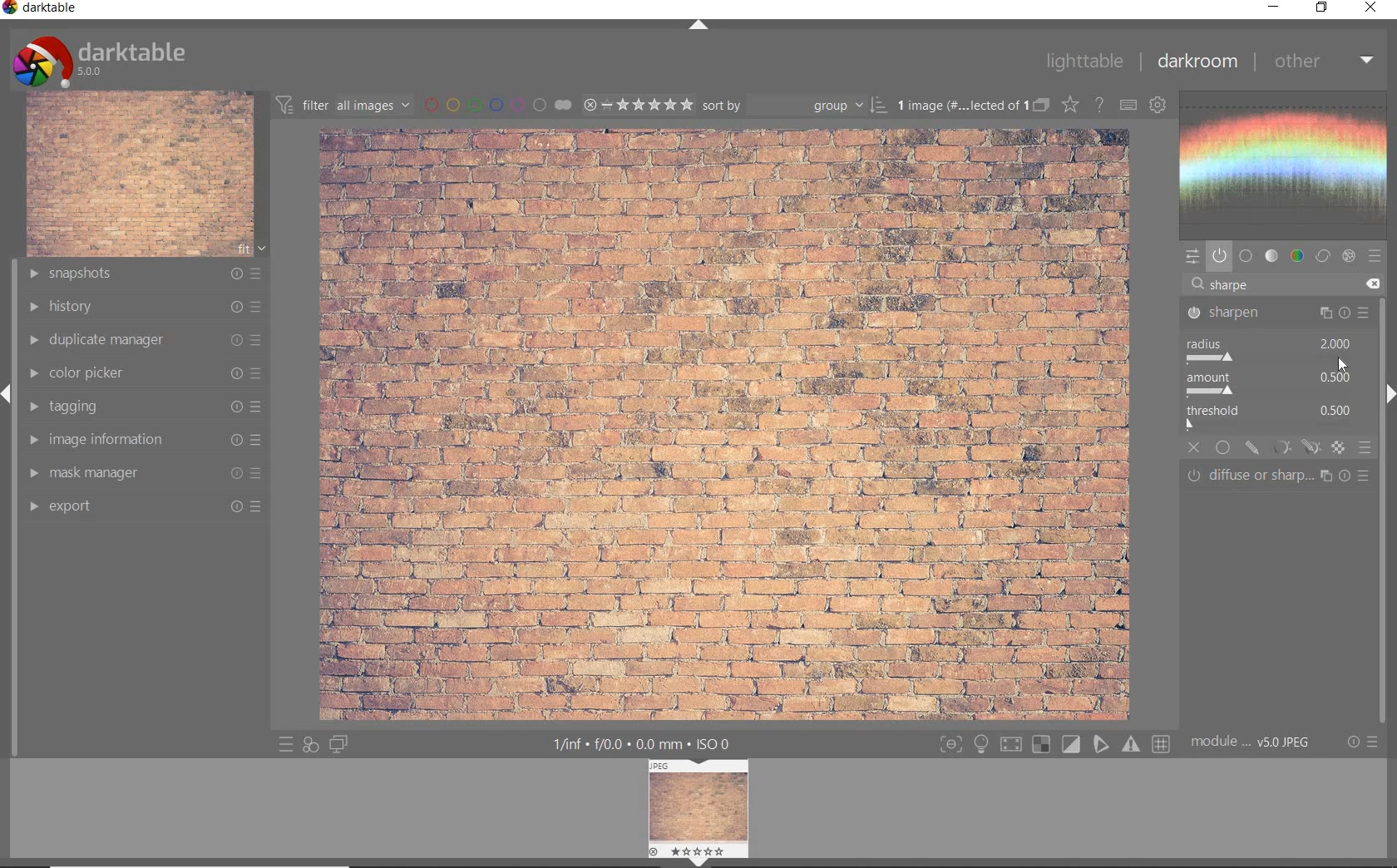 Image resolution: width=1397 pixels, height=868 pixels. Describe the element at coordinates (1293, 448) in the screenshot. I see `MASKING OPTIONS` at that location.